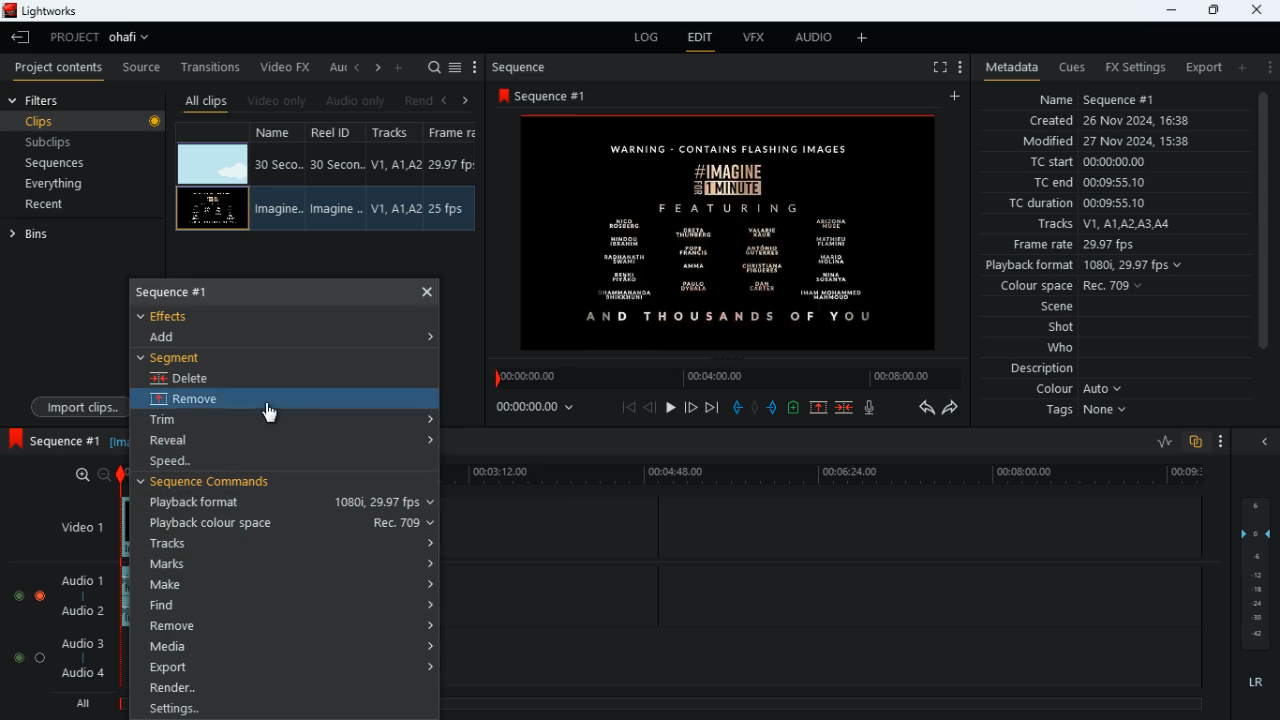 This screenshot has height=720, width=1280. I want to click on marks, so click(292, 564).